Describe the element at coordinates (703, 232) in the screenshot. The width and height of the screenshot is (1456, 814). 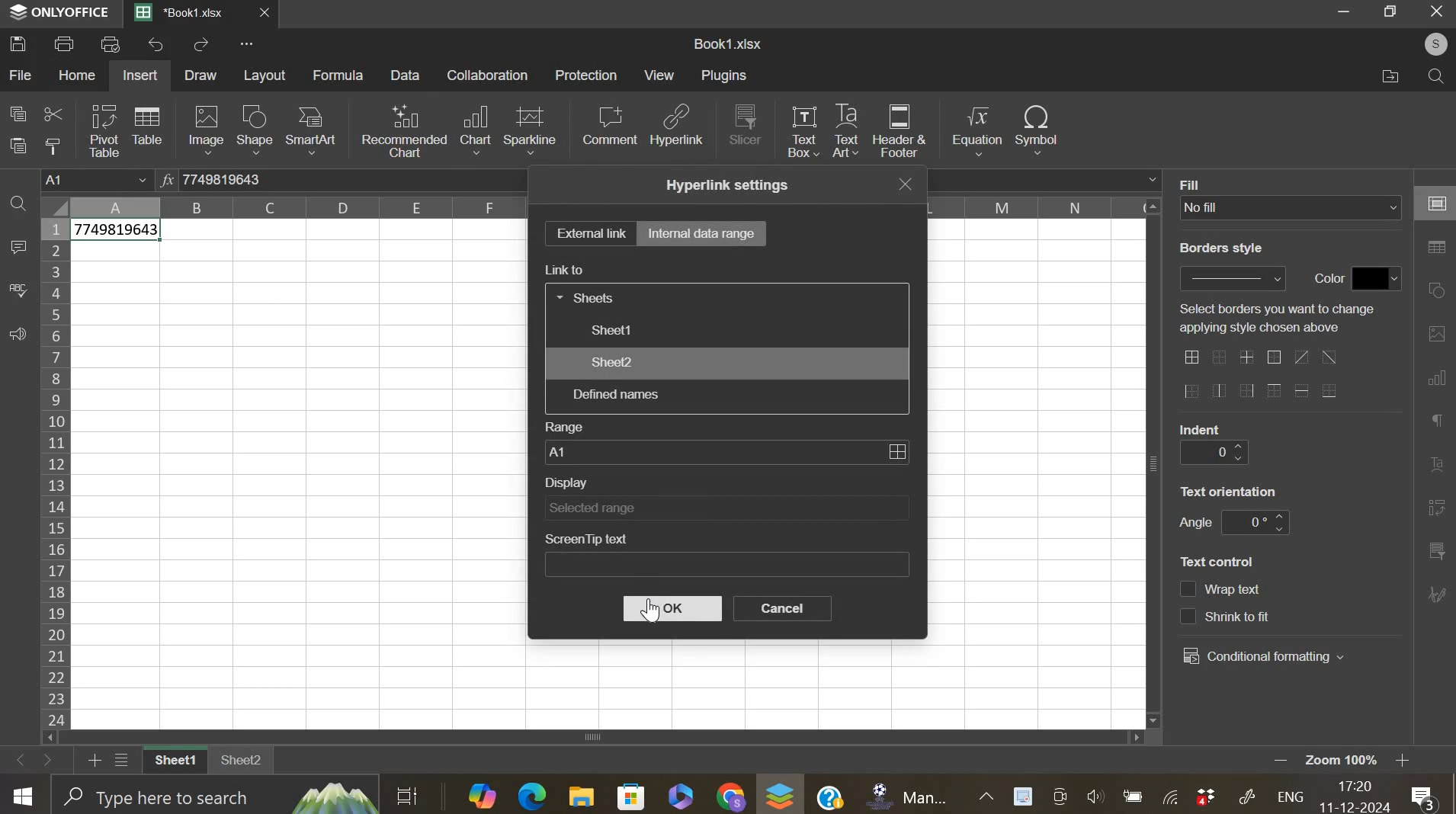
I see `internal data range` at that location.